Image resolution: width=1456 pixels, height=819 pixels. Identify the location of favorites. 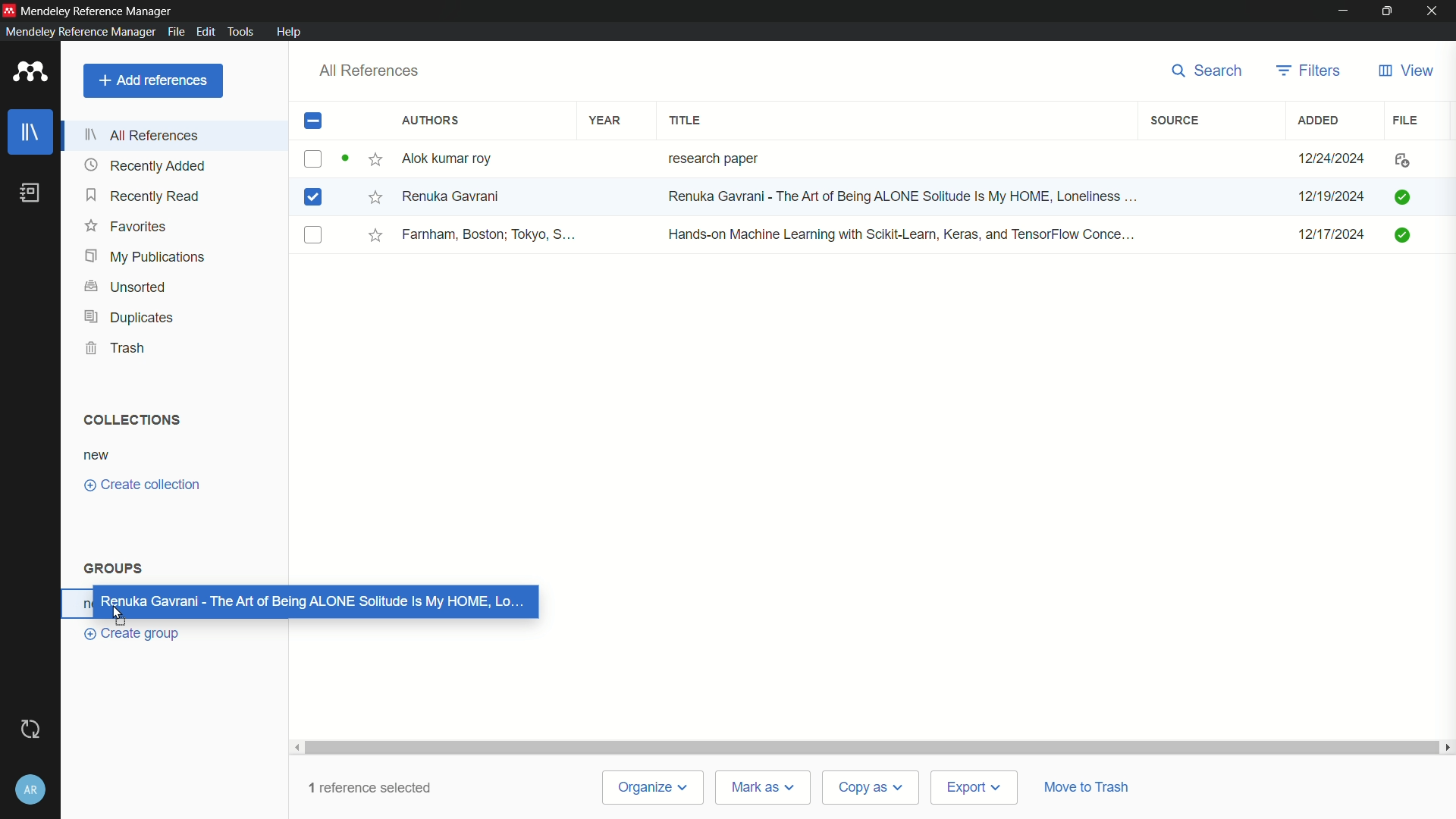
(127, 227).